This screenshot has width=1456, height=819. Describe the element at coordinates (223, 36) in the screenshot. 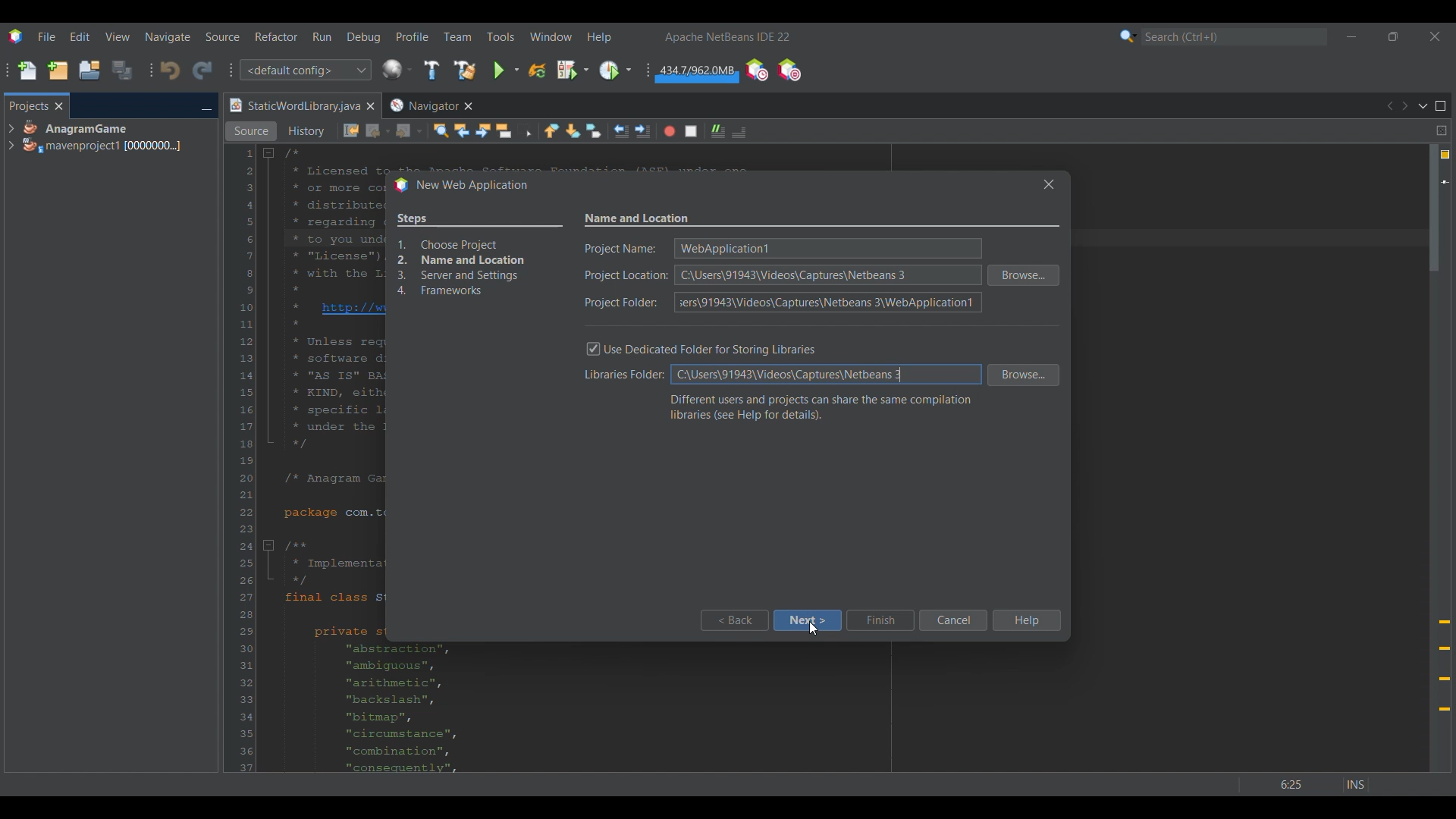

I see `Source menu` at that location.